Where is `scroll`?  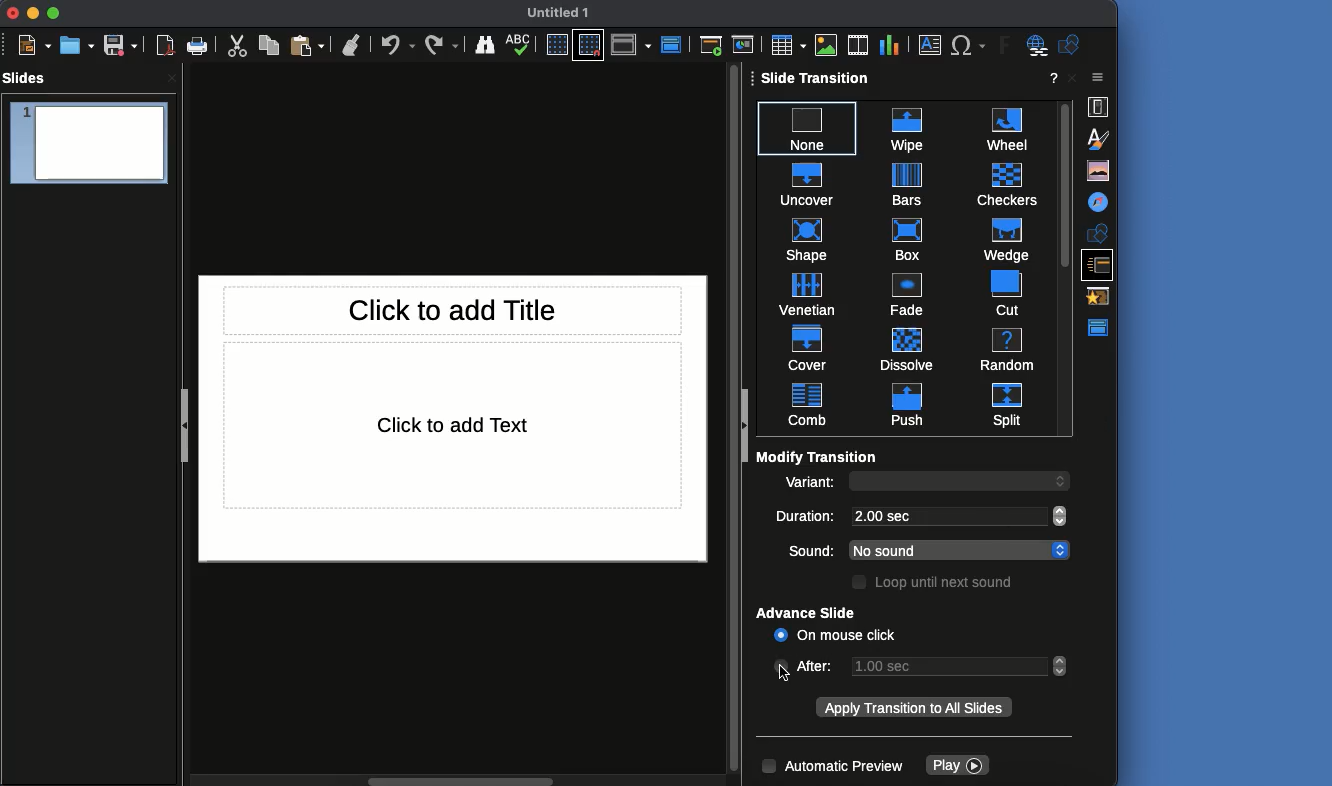
scroll is located at coordinates (1062, 516).